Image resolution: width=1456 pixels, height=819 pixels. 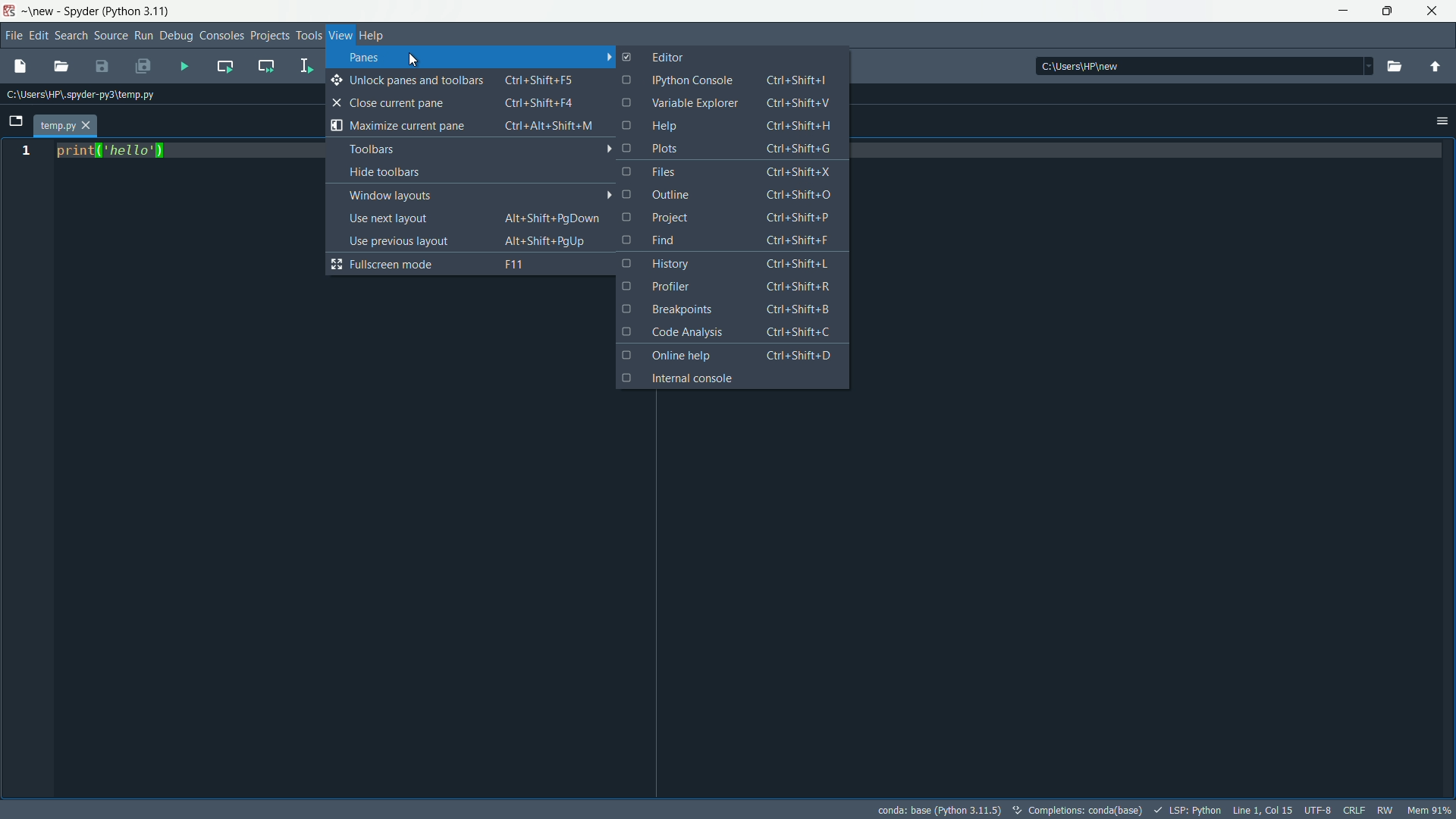 What do you see at coordinates (1263, 810) in the screenshot?
I see `Line1, col 15` at bounding box center [1263, 810].